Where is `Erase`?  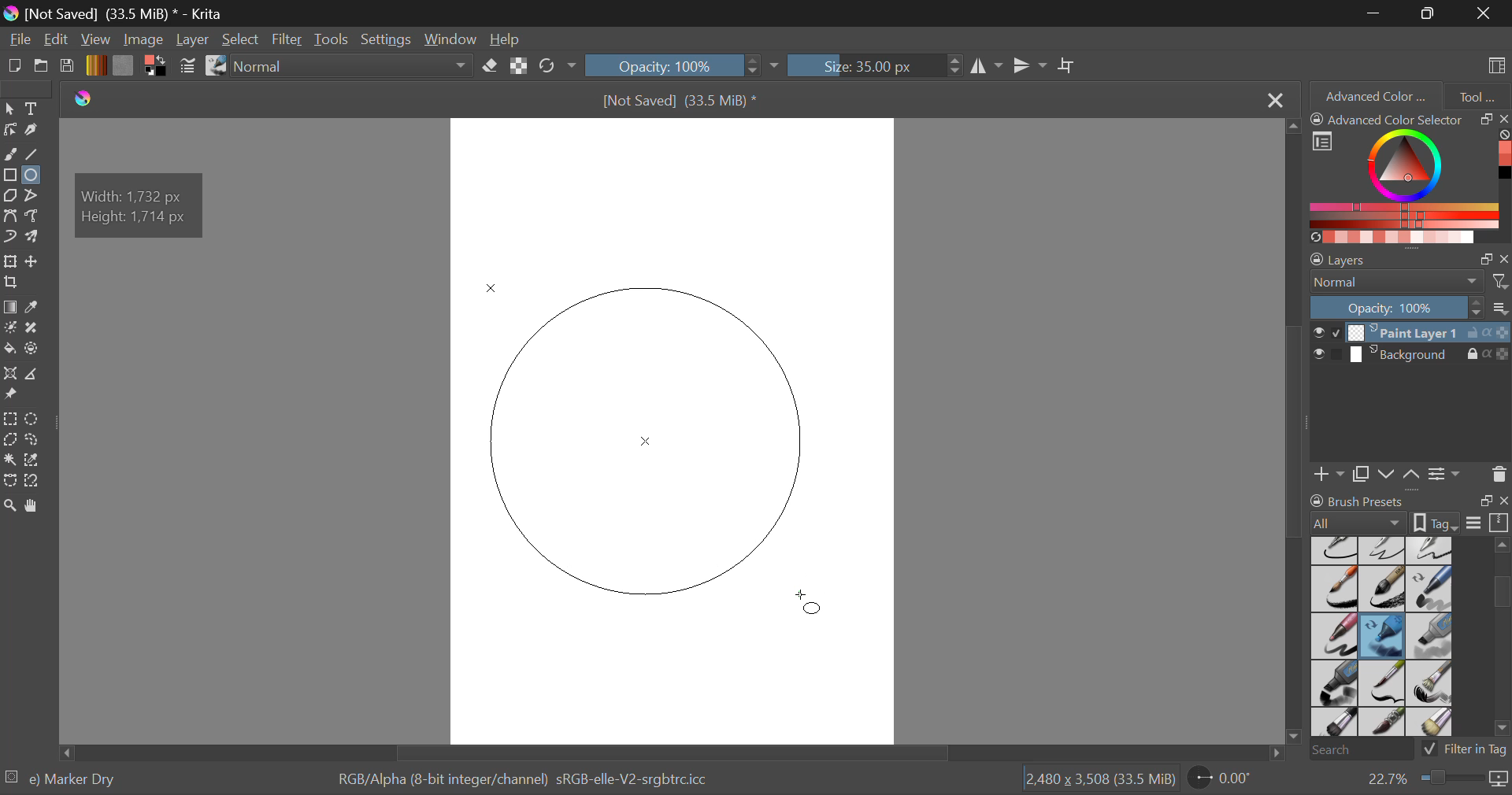 Erase is located at coordinates (493, 68).